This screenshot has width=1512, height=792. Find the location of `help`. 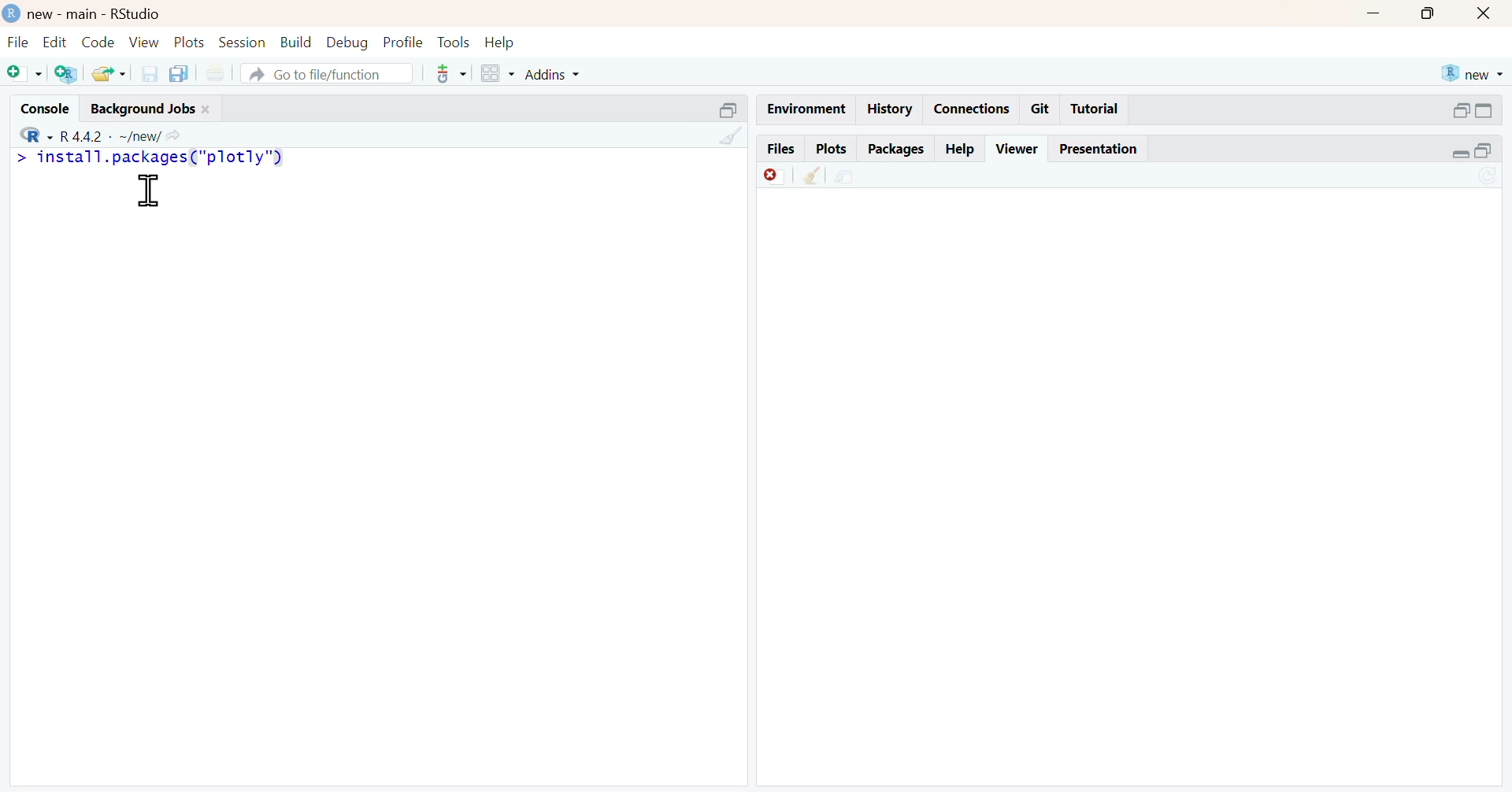

help is located at coordinates (503, 41).